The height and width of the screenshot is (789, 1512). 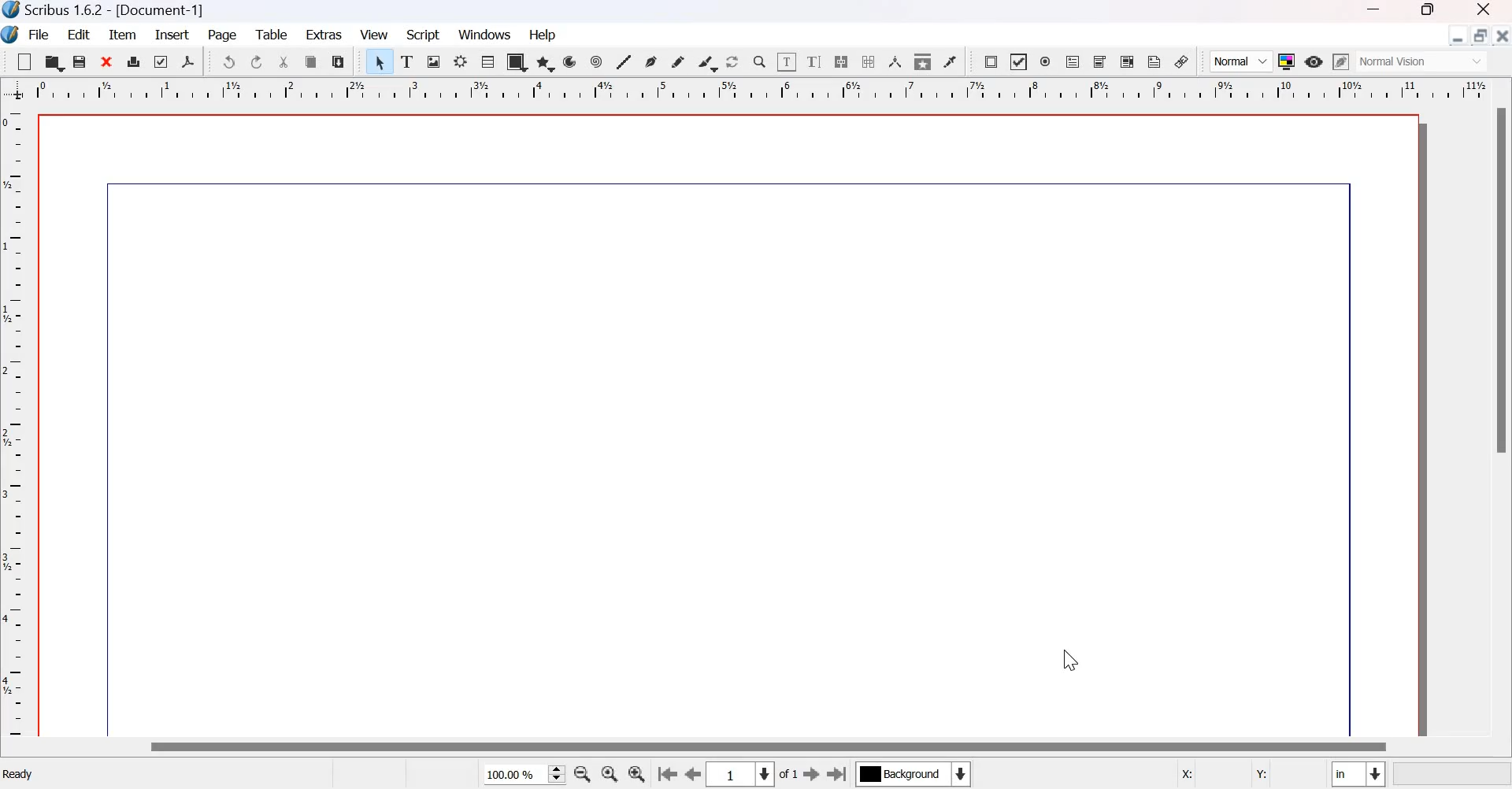 What do you see at coordinates (106, 61) in the screenshot?
I see `close` at bounding box center [106, 61].